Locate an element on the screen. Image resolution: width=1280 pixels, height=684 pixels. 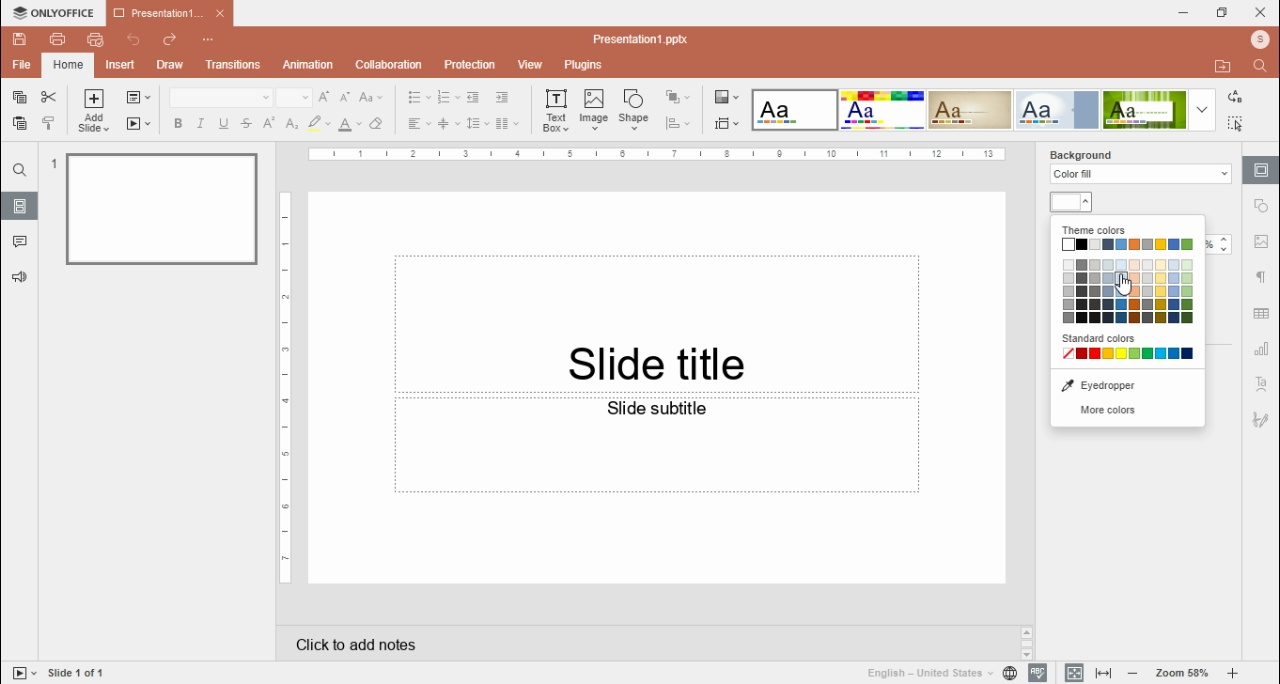
italics is located at coordinates (201, 124).